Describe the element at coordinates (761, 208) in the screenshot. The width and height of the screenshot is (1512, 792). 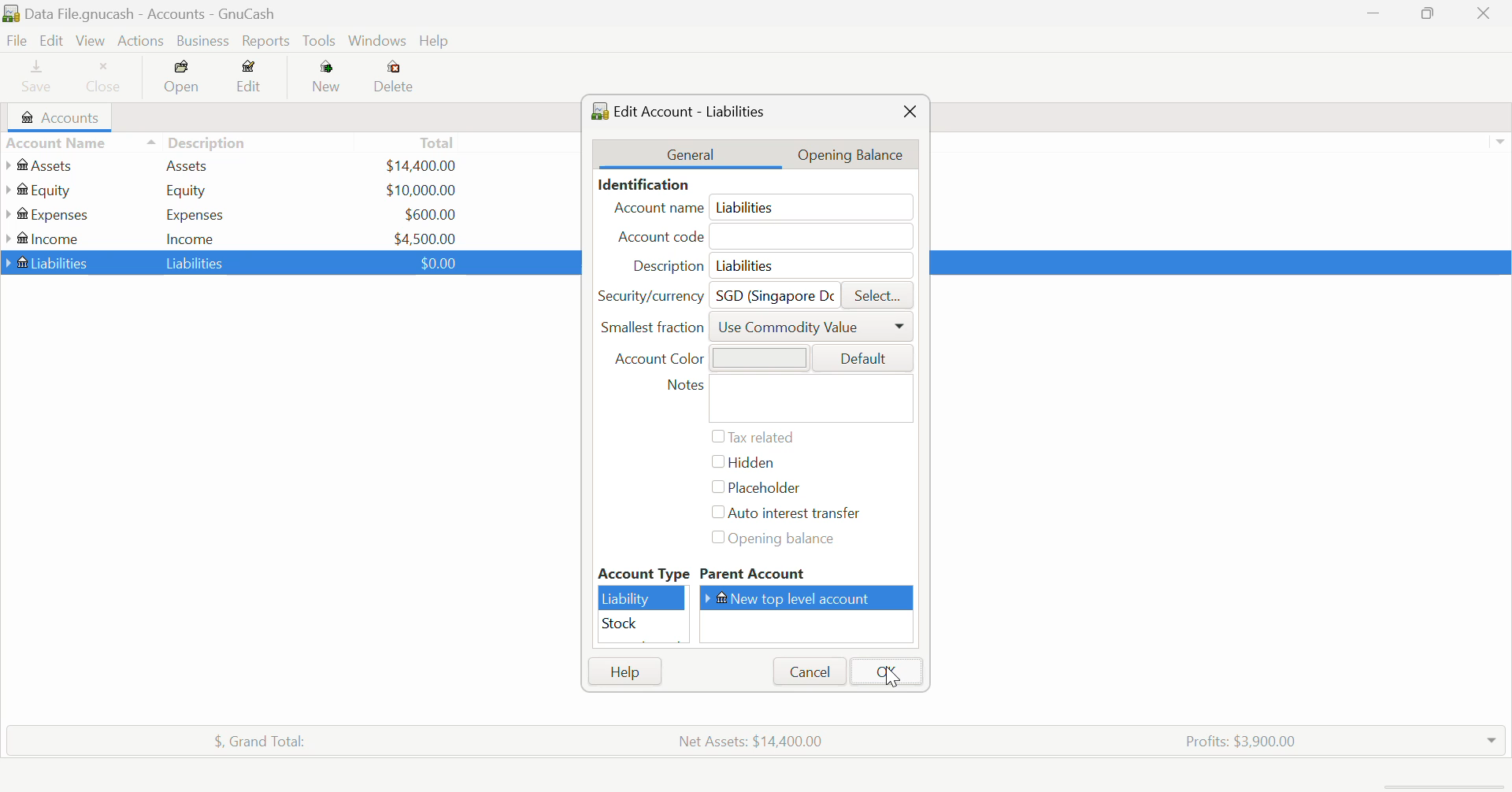
I see `Account name: Liabilities` at that location.